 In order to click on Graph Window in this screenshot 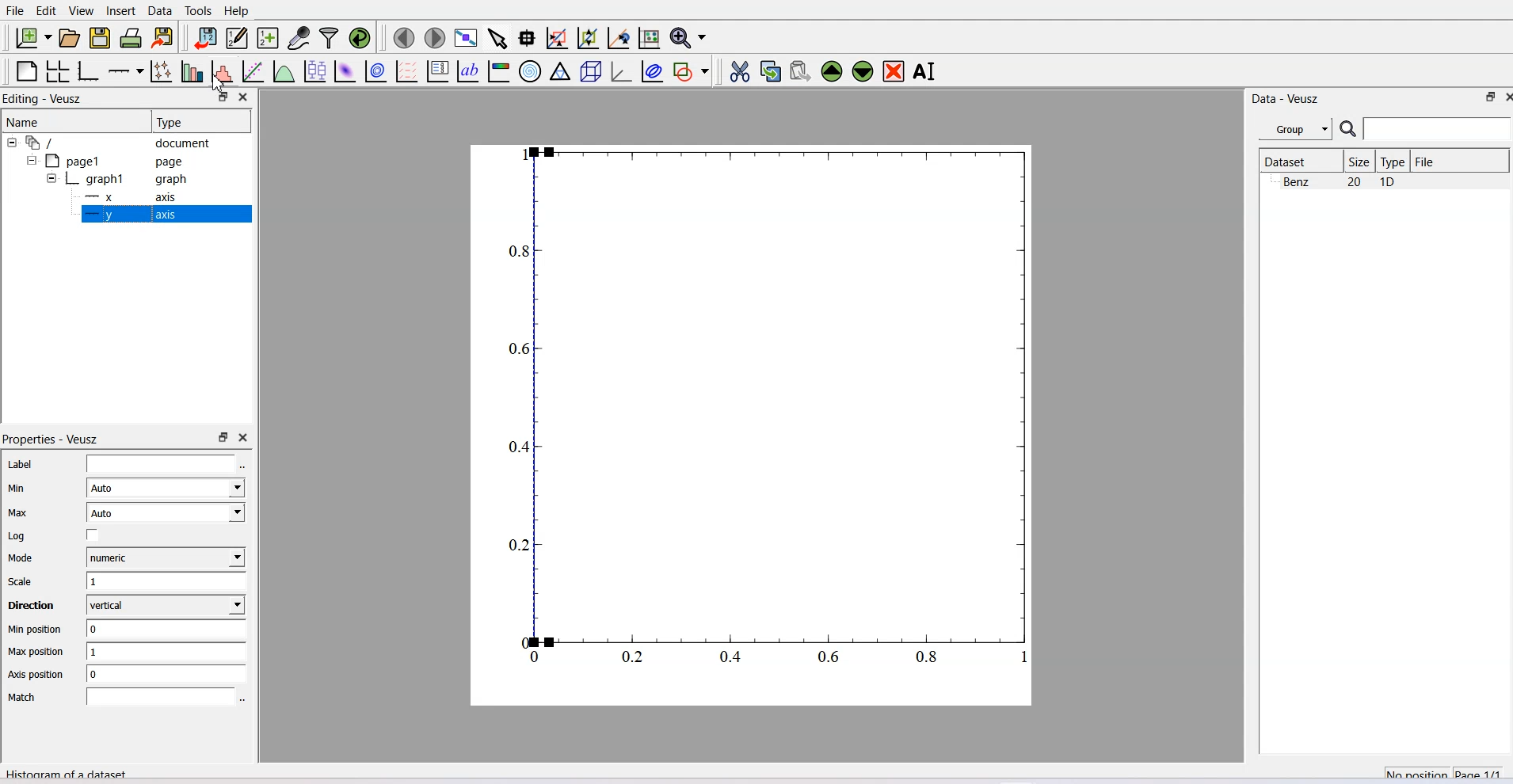, I will do `click(764, 418)`.